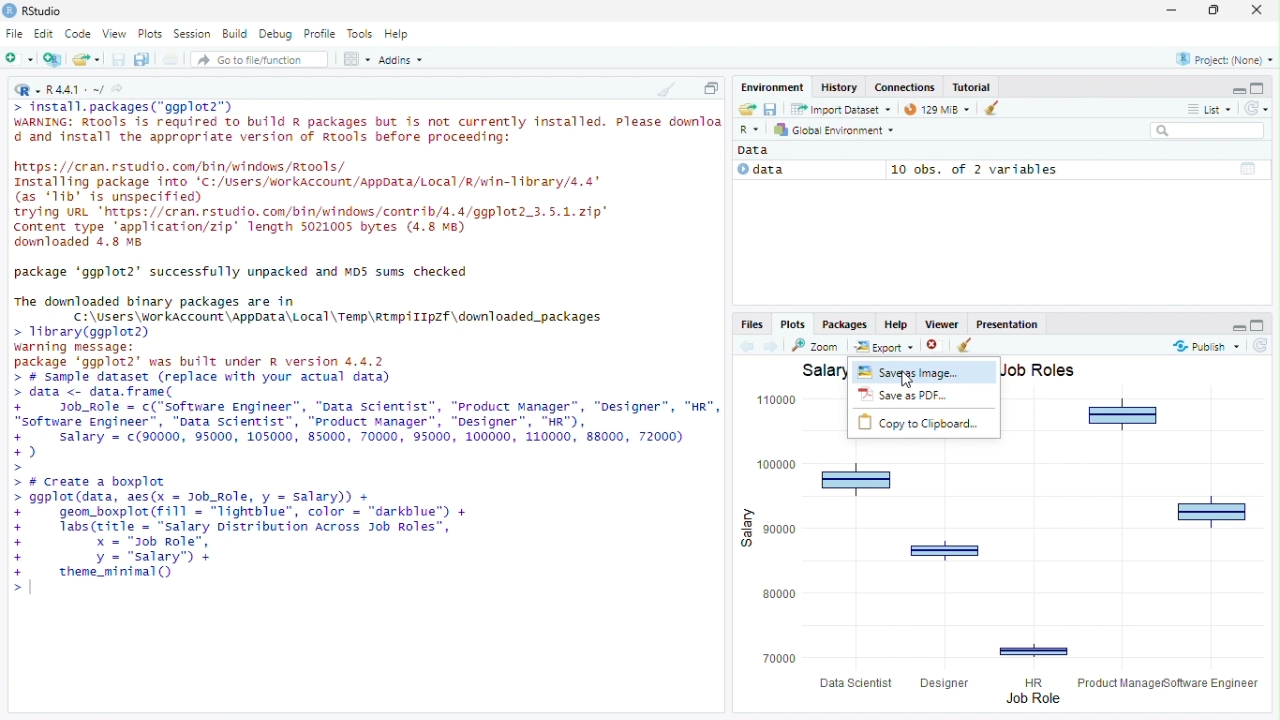 Image resolution: width=1280 pixels, height=720 pixels. I want to click on Logo, so click(10, 10).